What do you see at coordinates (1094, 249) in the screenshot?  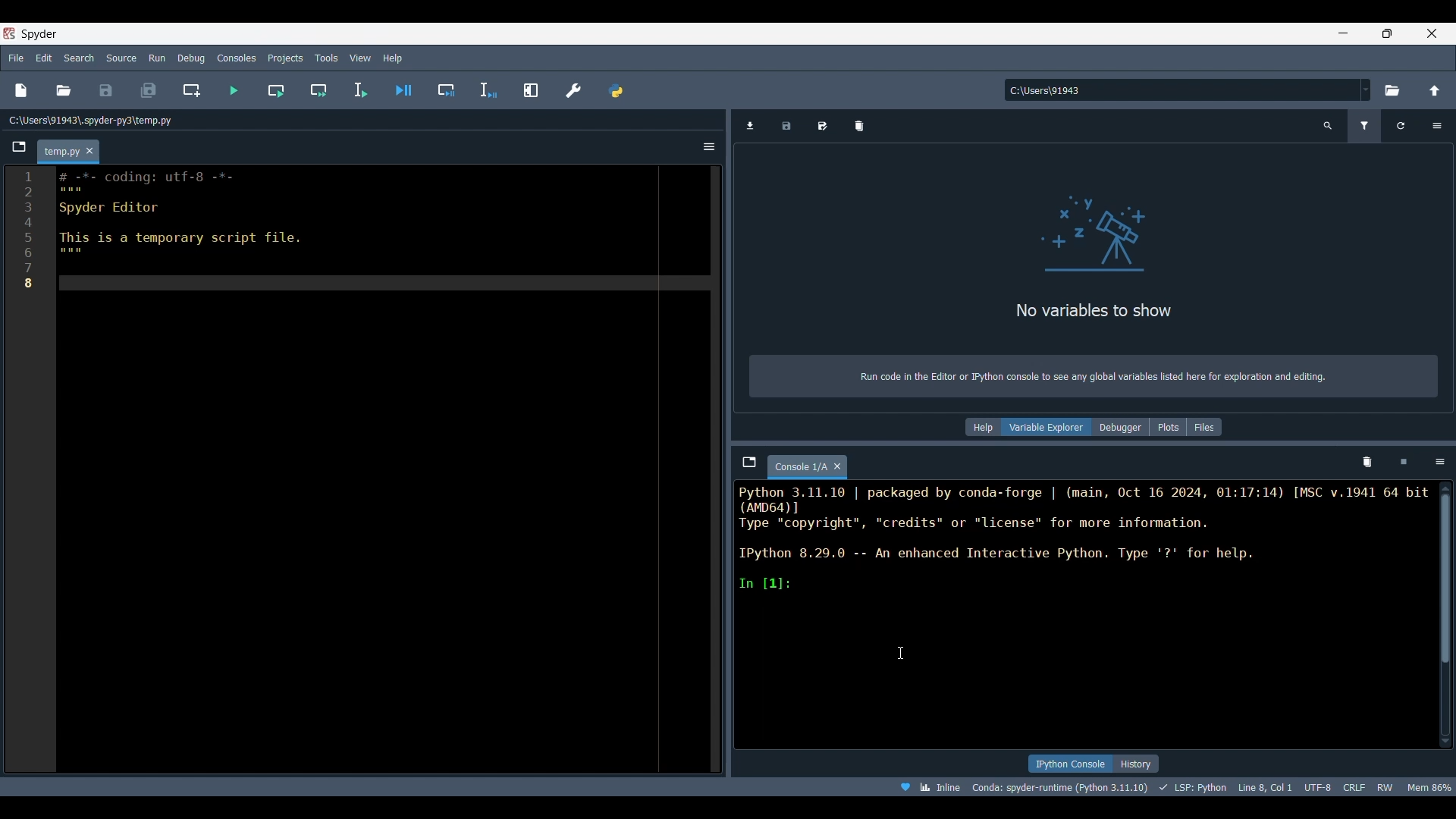 I see `variable explorer pane` at bounding box center [1094, 249].